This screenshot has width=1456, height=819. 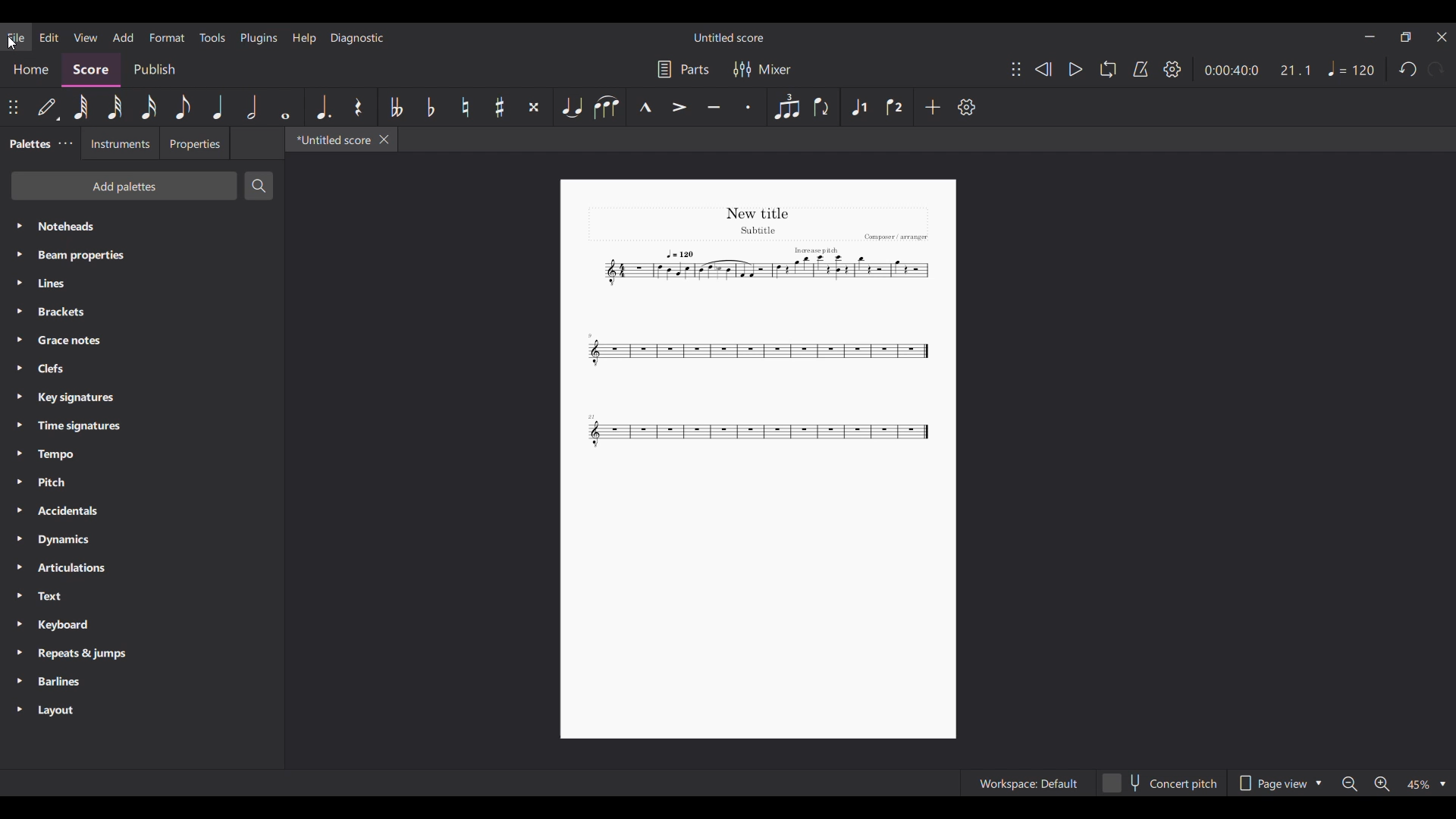 What do you see at coordinates (1382, 784) in the screenshot?
I see `Zoom in` at bounding box center [1382, 784].